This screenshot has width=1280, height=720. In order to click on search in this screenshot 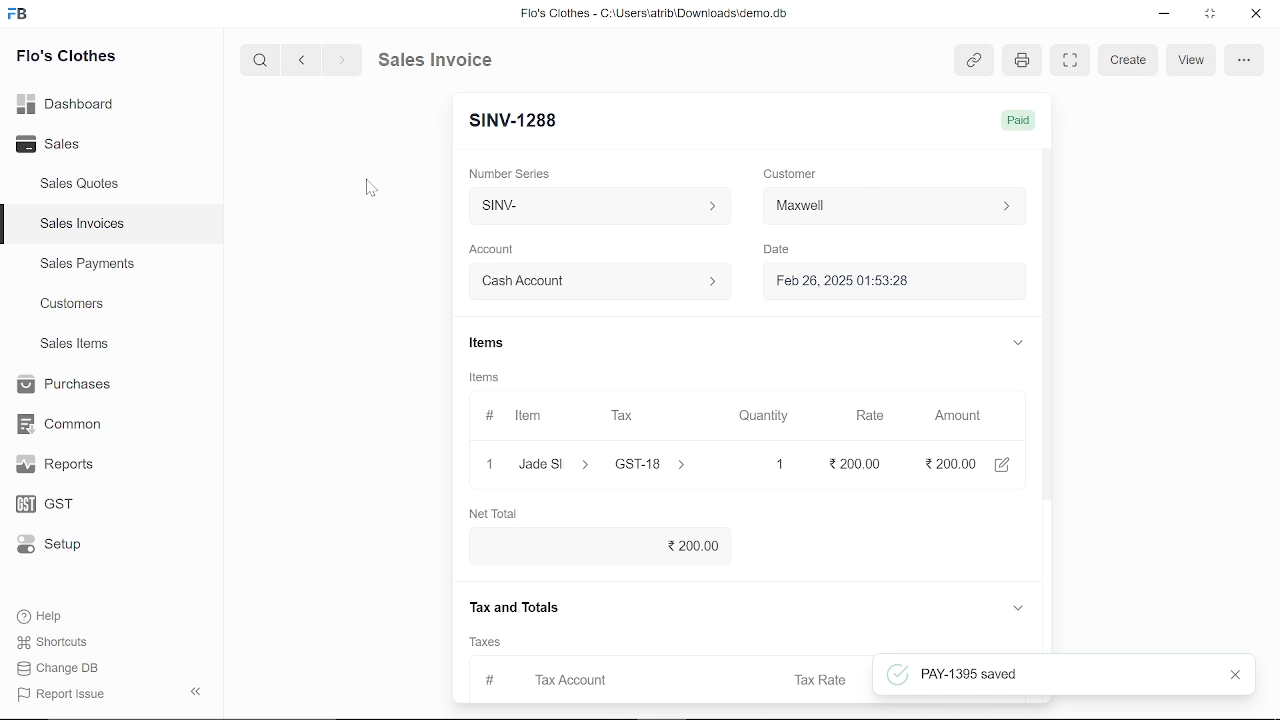, I will do `click(262, 59)`.